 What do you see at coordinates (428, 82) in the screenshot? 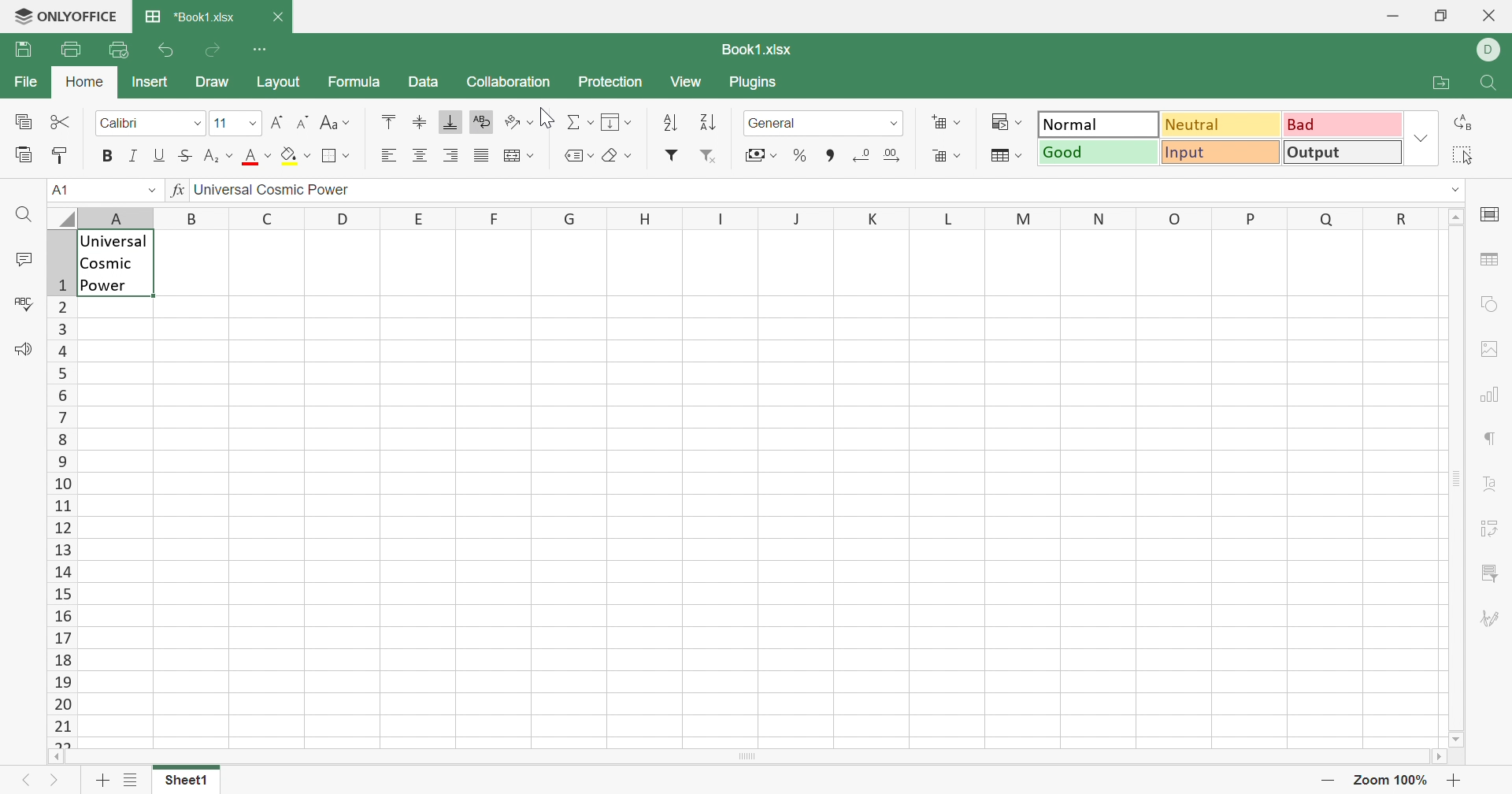
I see `Data` at bounding box center [428, 82].